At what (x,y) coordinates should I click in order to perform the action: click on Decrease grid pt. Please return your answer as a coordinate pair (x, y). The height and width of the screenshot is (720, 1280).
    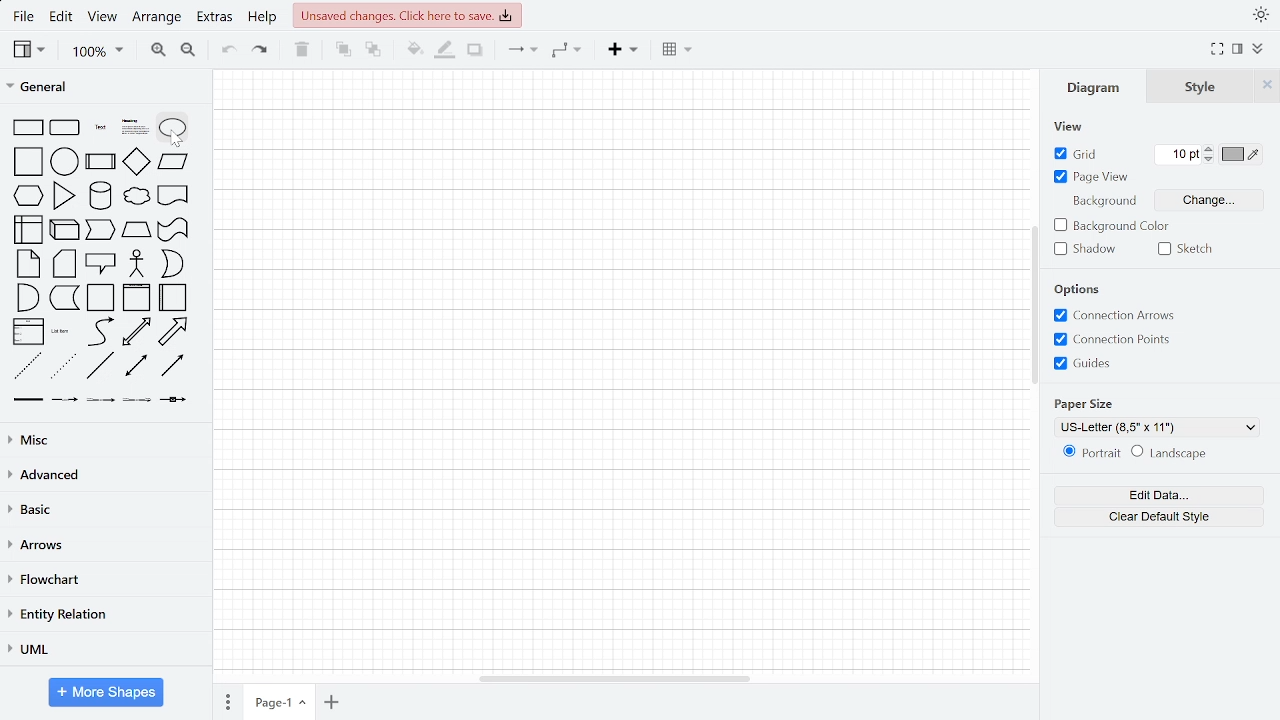
    Looking at the image, I should click on (1211, 149).